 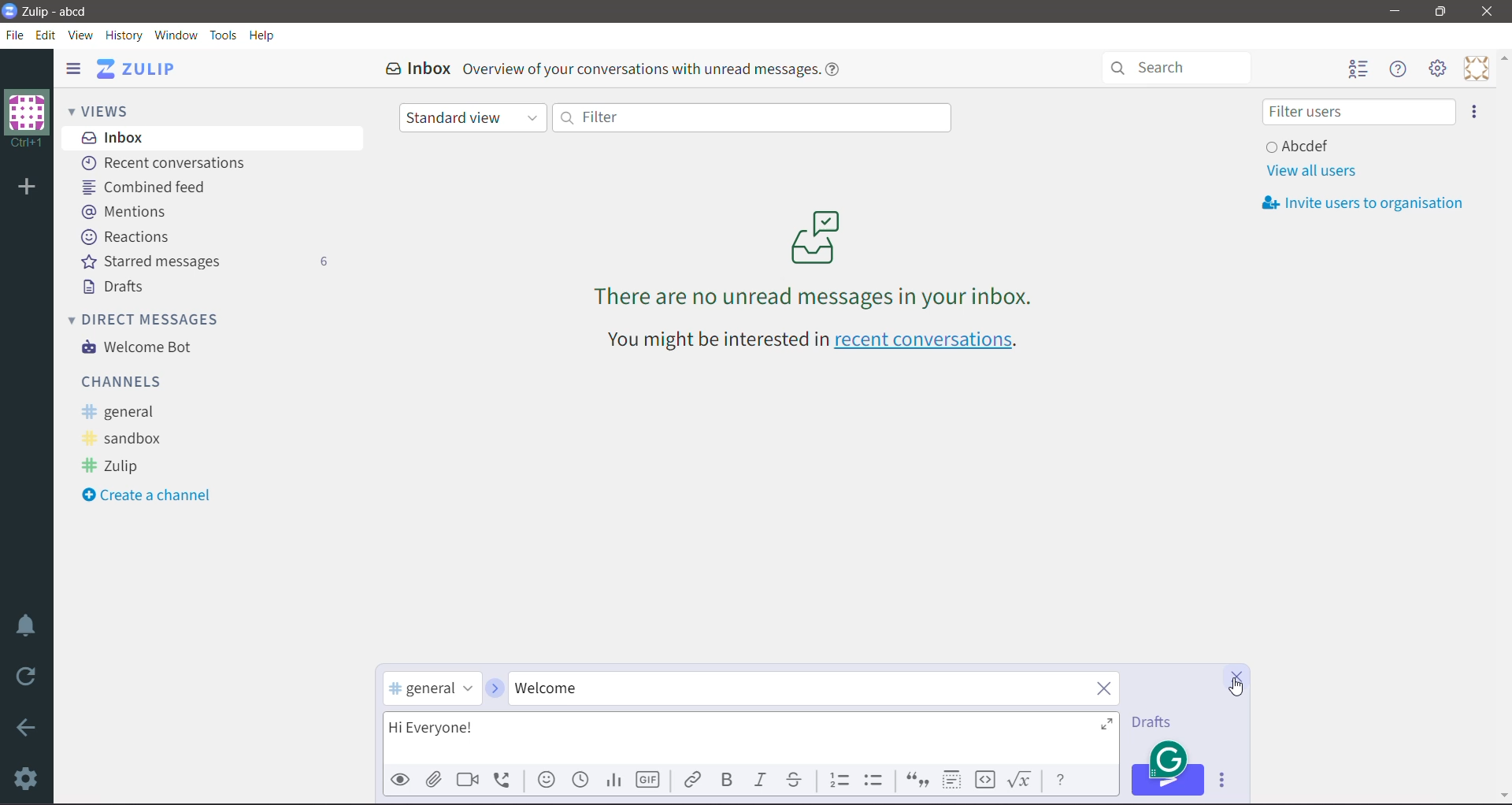 What do you see at coordinates (1099, 689) in the screenshot?
I see `Clear Topic` at bounding box center [1099, 689].